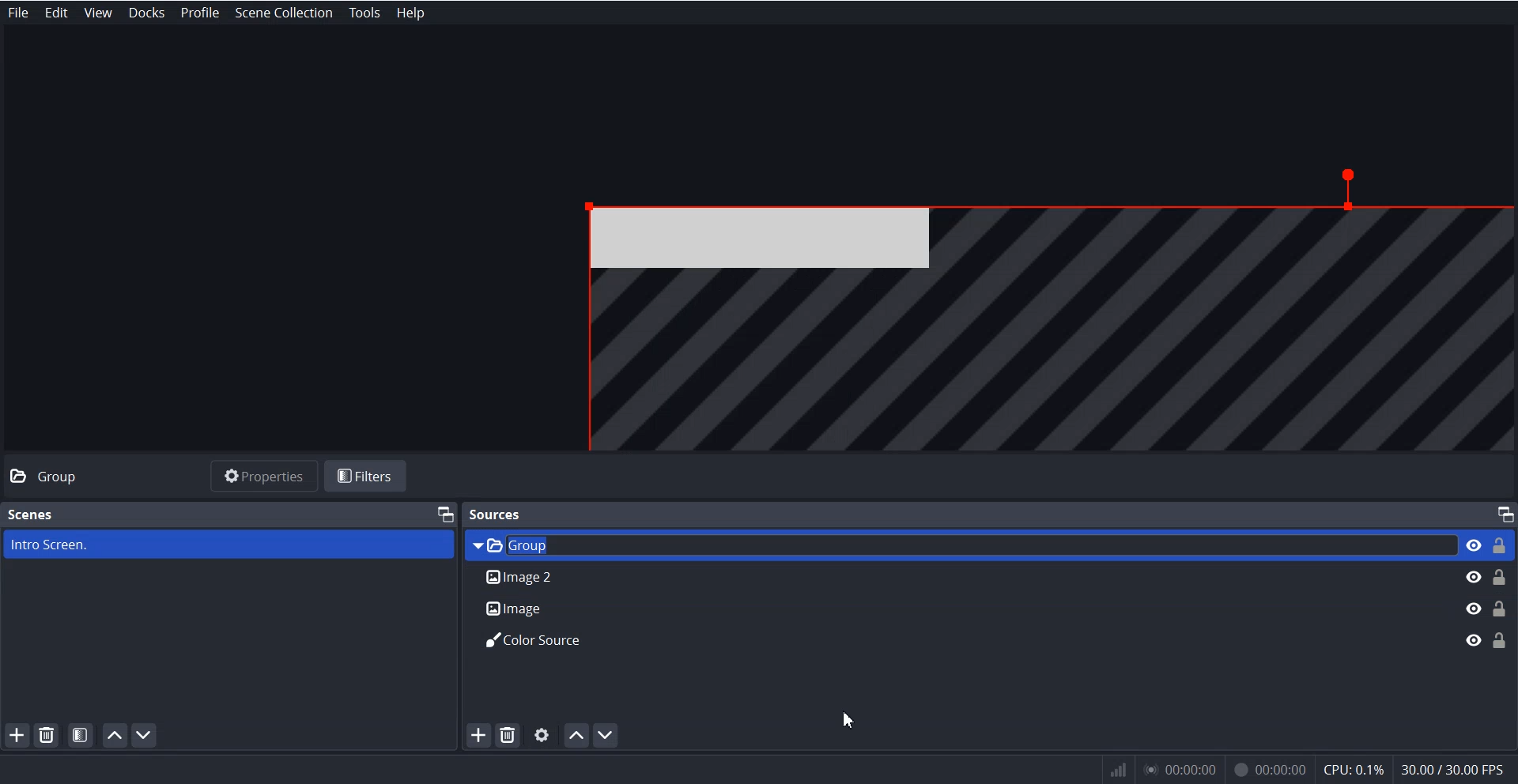  Describe the element at coordinates (850, 718) in the screenshot. I see `Cursor` at that location.